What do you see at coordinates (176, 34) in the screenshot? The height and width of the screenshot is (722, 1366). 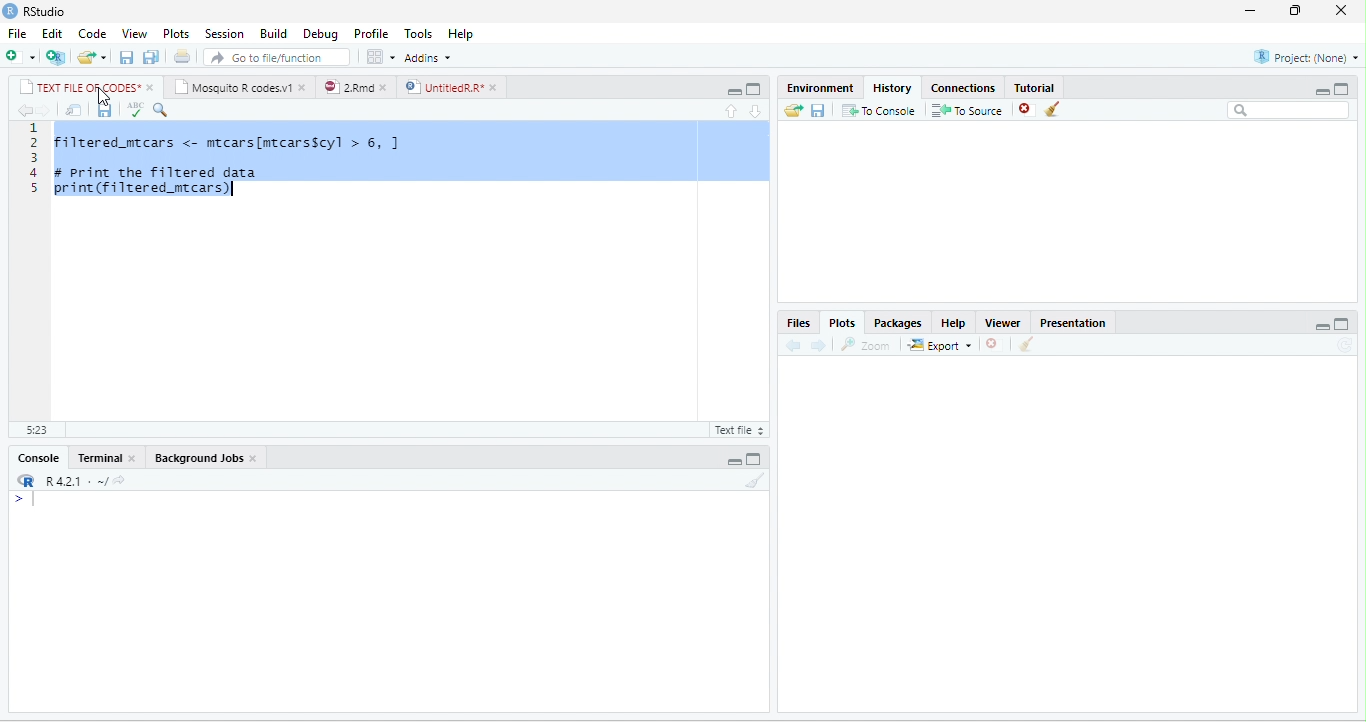 I see `Plots` at bounding box center [176, 34].